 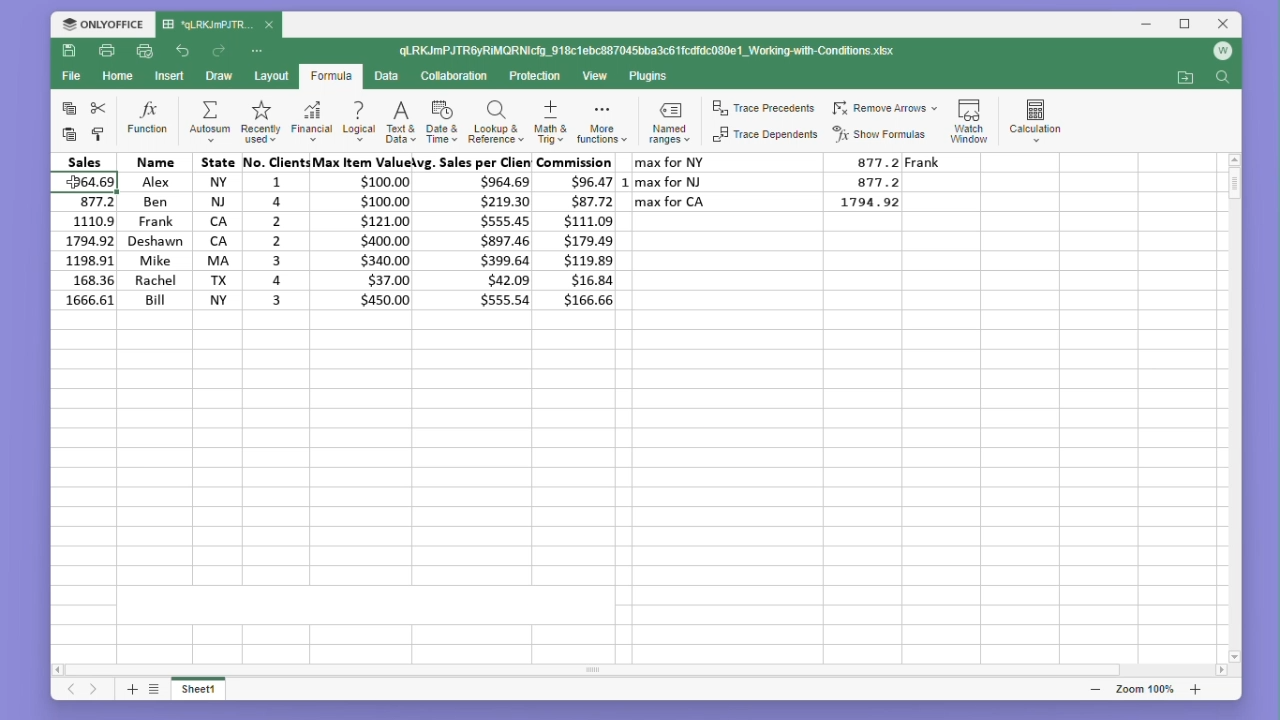 I want to click on Onlyoffice, so click(x=102, y=24).